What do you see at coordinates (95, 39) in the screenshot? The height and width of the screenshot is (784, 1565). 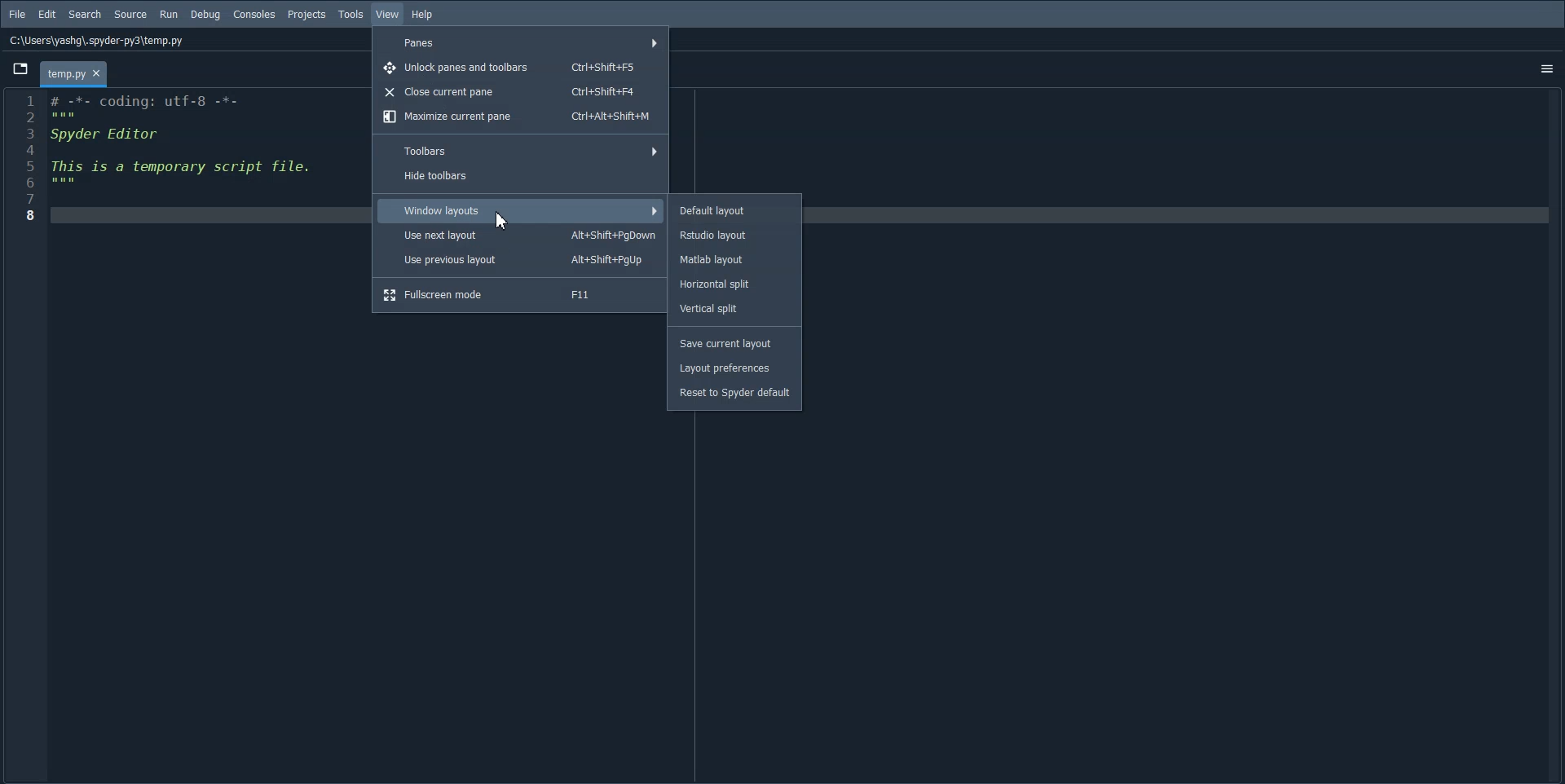 I see `C:\Users\yashg\.spyder-py3\temp.py` at bounding box center [95, 39].